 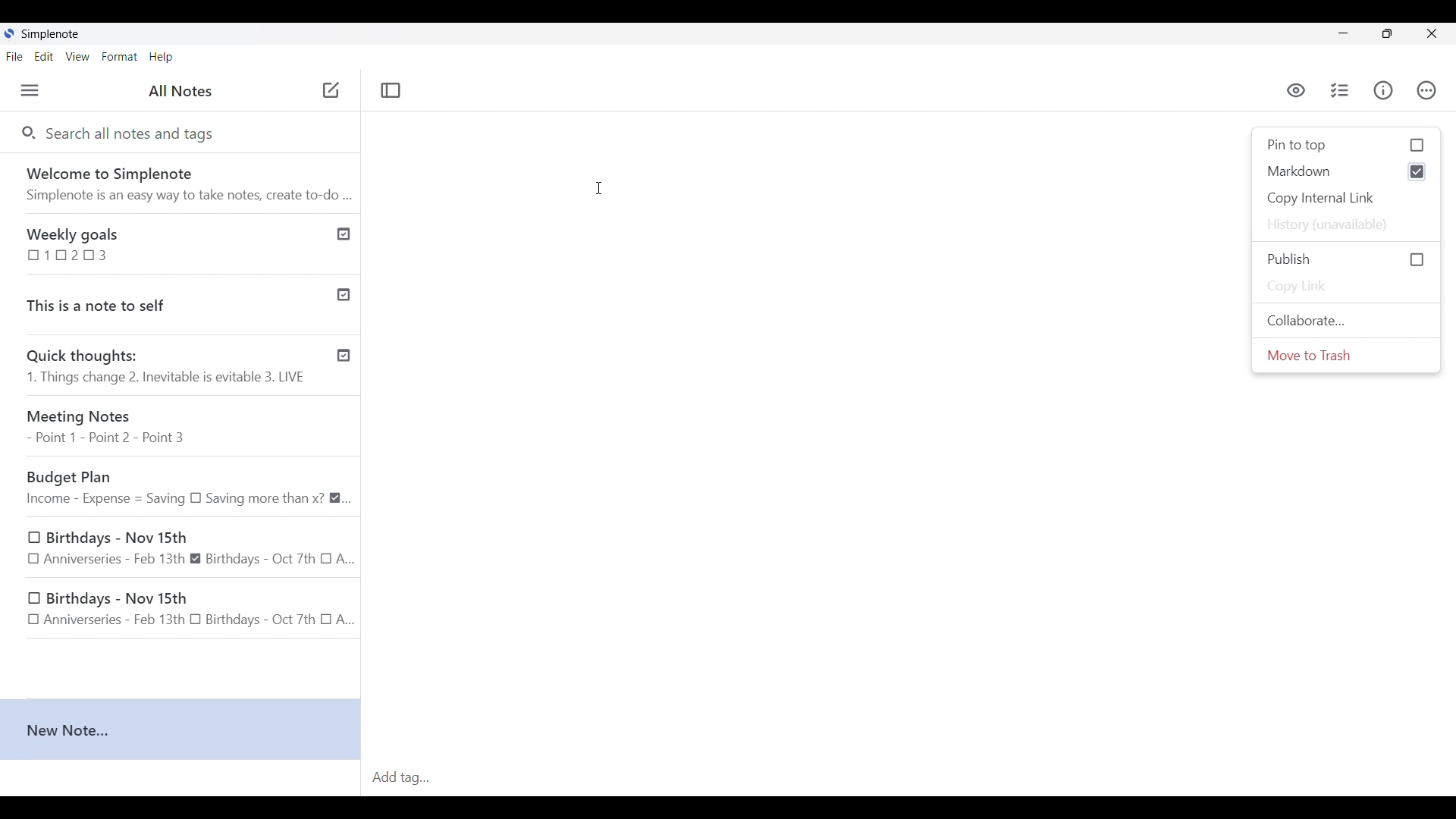 What do you see at coordinates (119, 57) in the screenshot?
I see `Format menu` at bounding box center [119, 57].